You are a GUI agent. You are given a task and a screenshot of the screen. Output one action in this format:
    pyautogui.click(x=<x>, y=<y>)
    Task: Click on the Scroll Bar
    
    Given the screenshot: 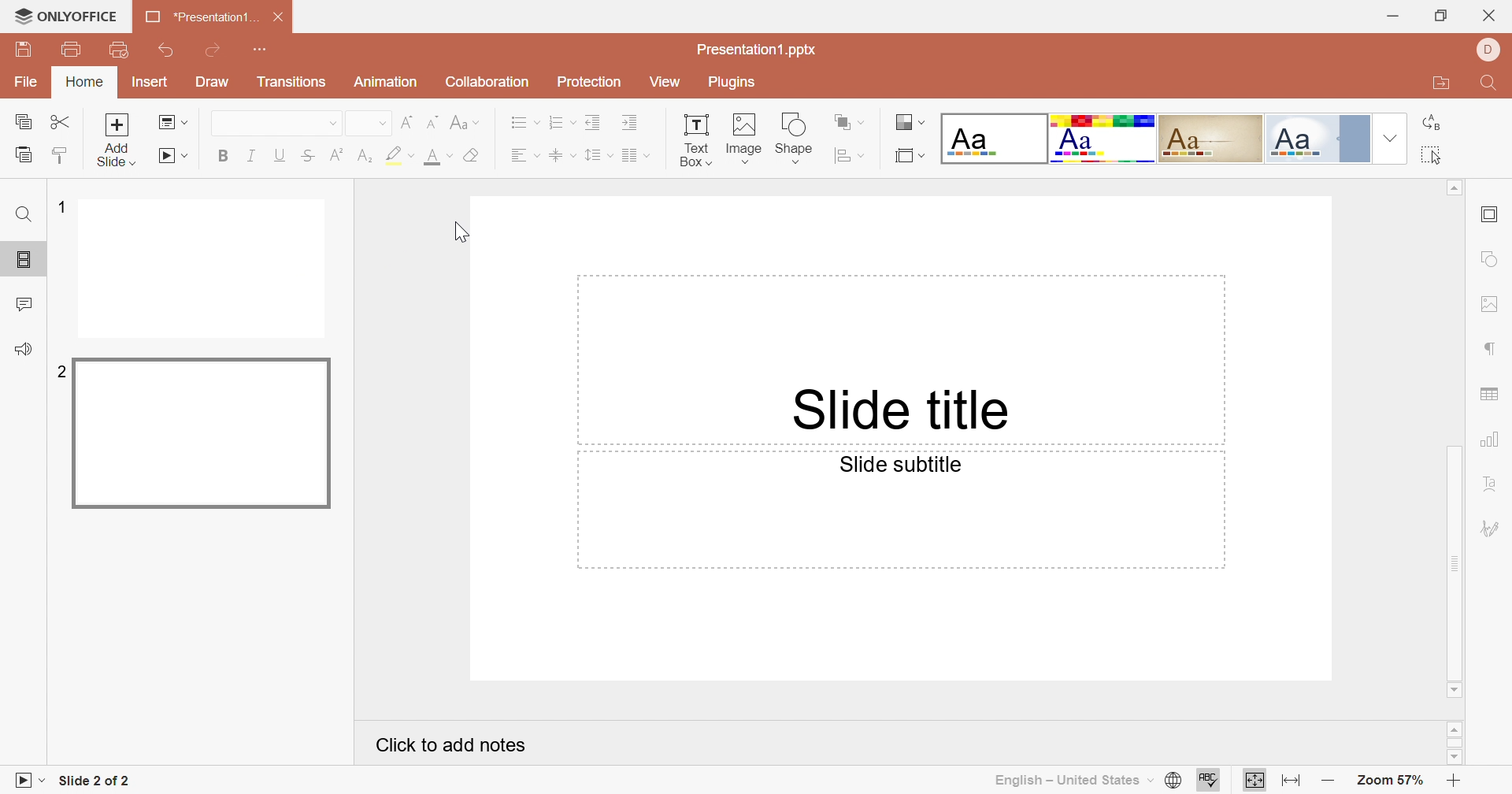 What is the action you would take?
    pyautogui.click(x=1454, y=742)
    